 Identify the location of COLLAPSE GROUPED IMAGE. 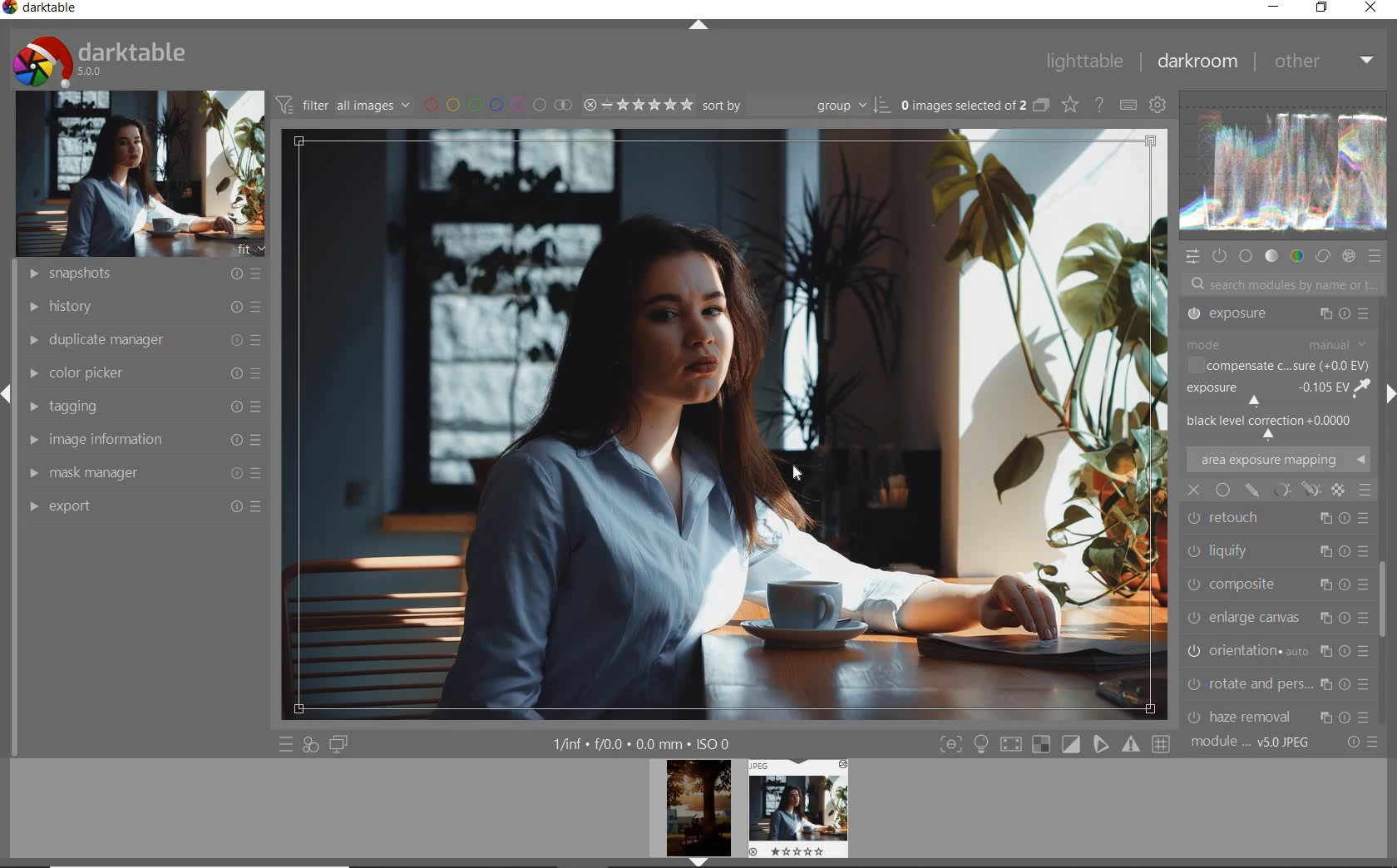
(1040, 106).